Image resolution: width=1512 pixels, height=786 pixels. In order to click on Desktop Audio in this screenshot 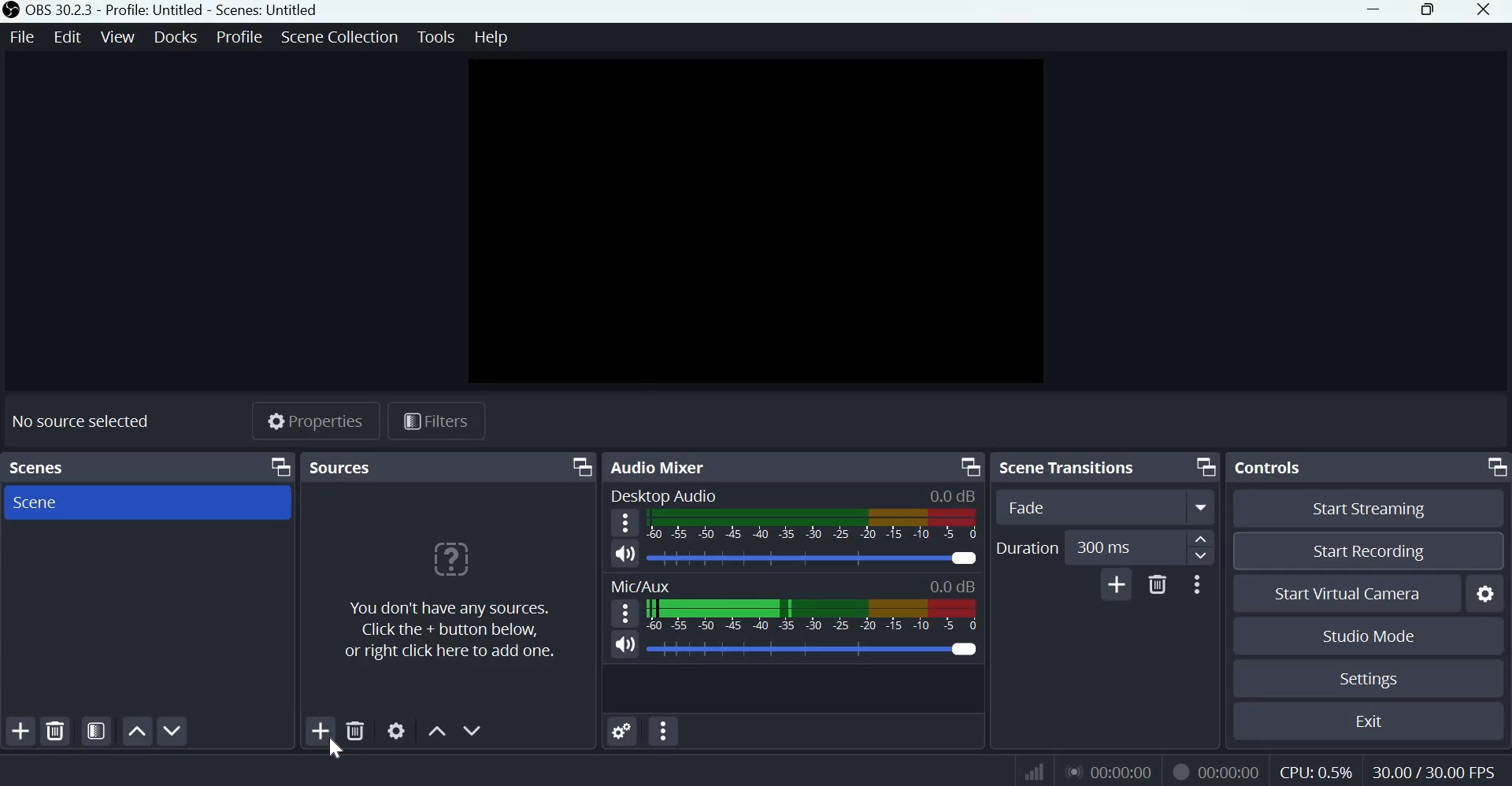, I will do `click(665, 495)`.